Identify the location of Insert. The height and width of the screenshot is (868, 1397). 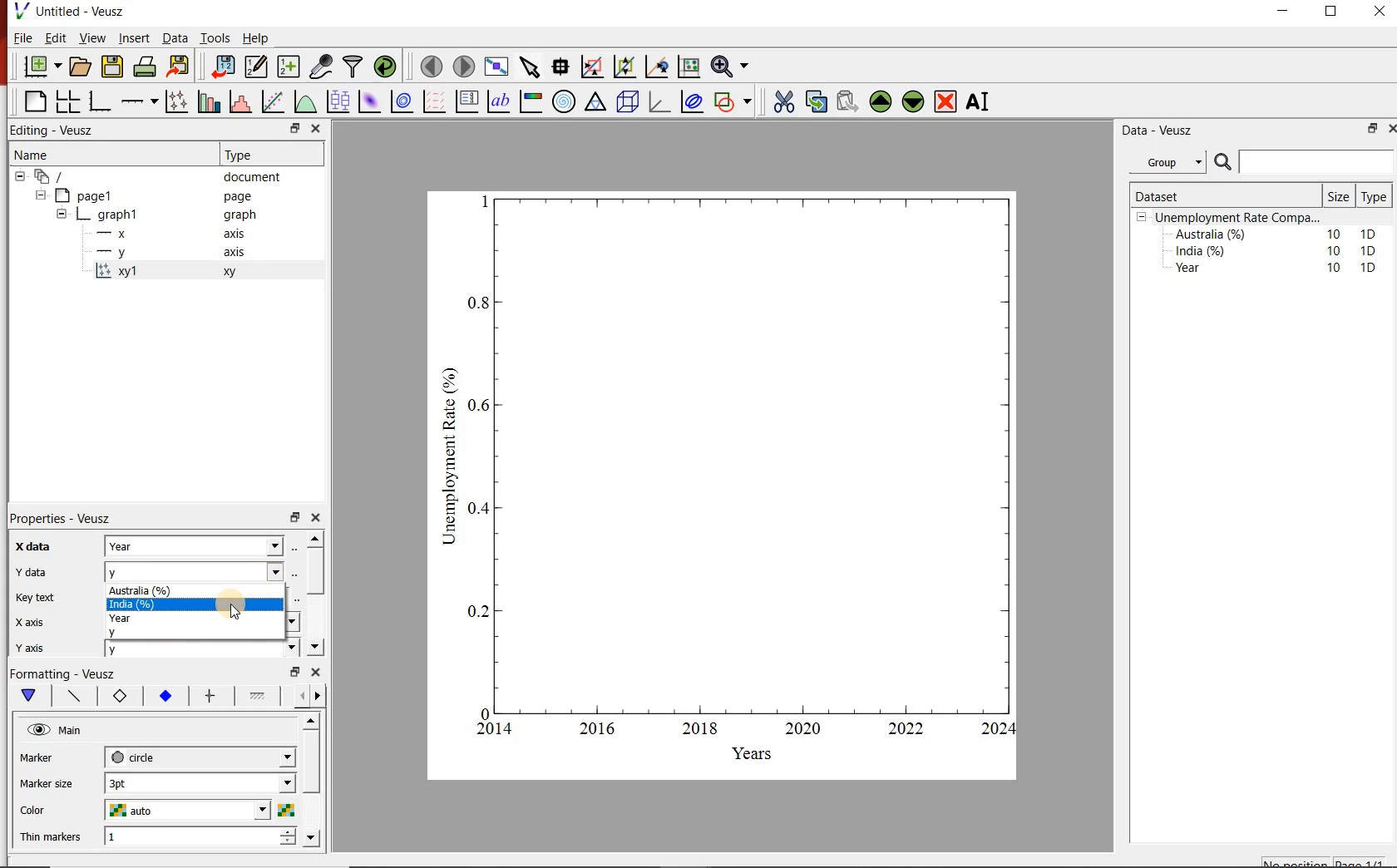
(133, 37).